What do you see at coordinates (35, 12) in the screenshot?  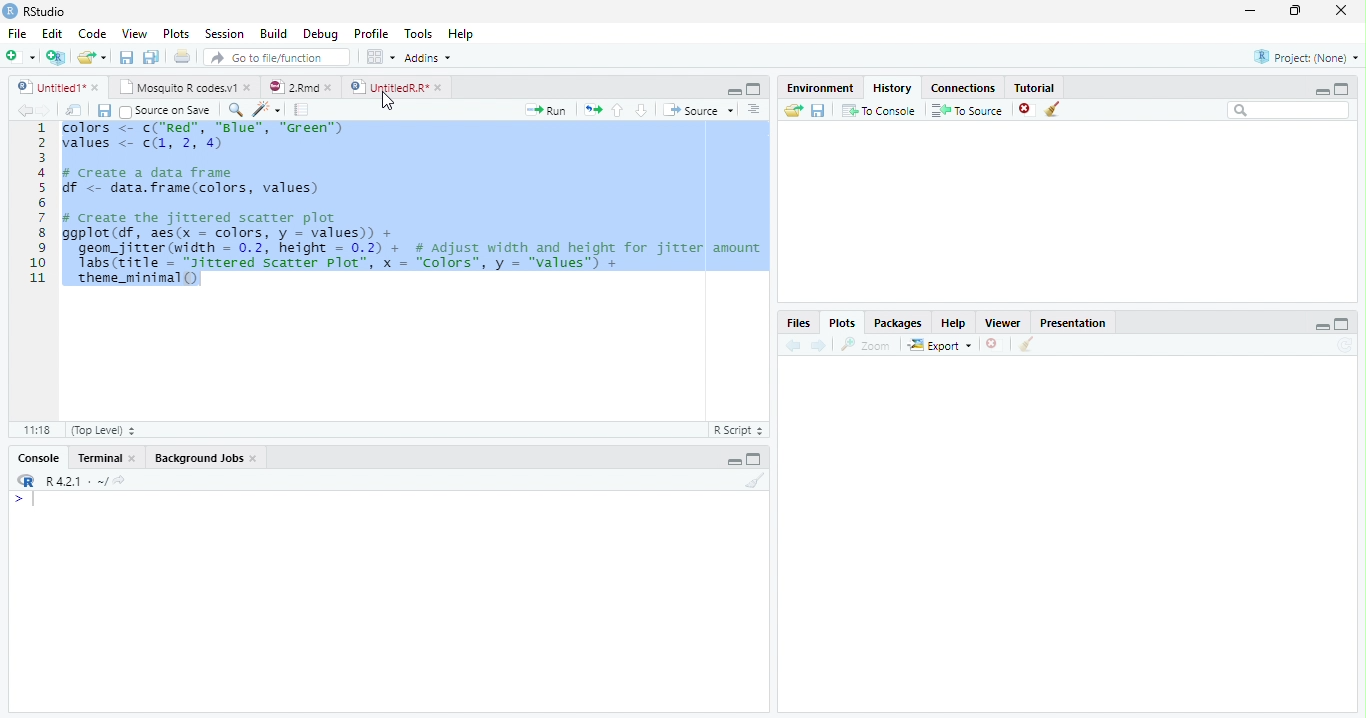 I see `RStudio` at bounding box center [35, 12].